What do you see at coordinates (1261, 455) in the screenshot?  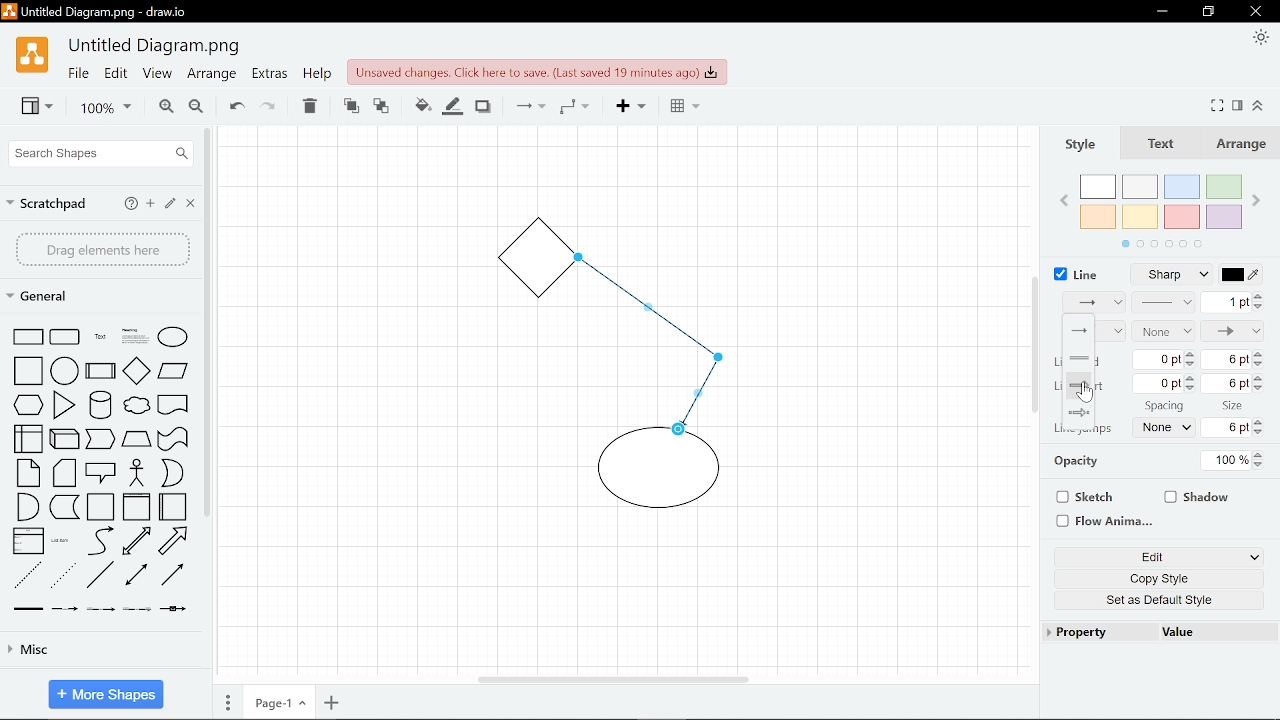 I see `Increase opacity` at bounding box center [1261, 455].